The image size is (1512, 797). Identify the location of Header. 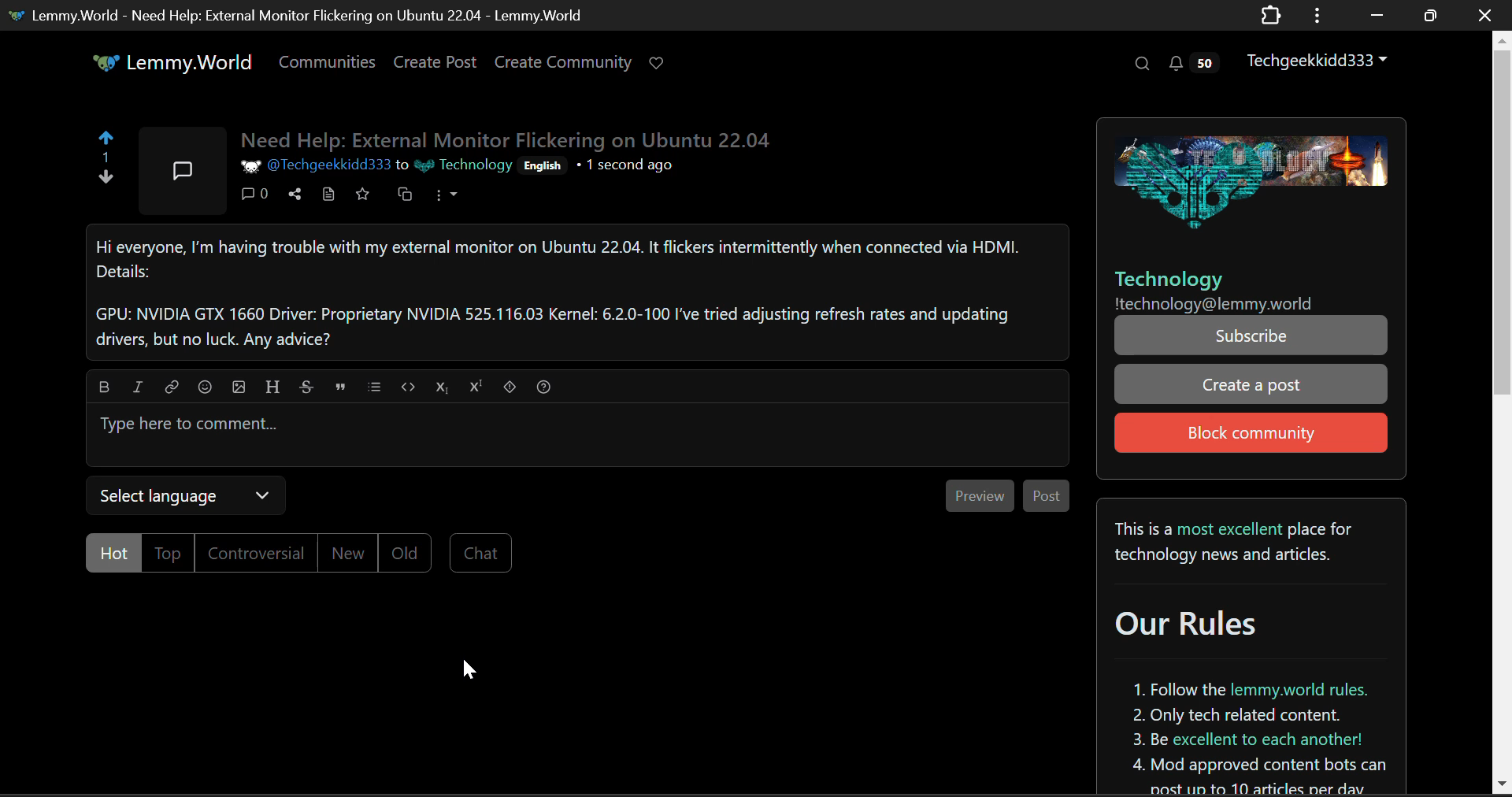
(271, 385).